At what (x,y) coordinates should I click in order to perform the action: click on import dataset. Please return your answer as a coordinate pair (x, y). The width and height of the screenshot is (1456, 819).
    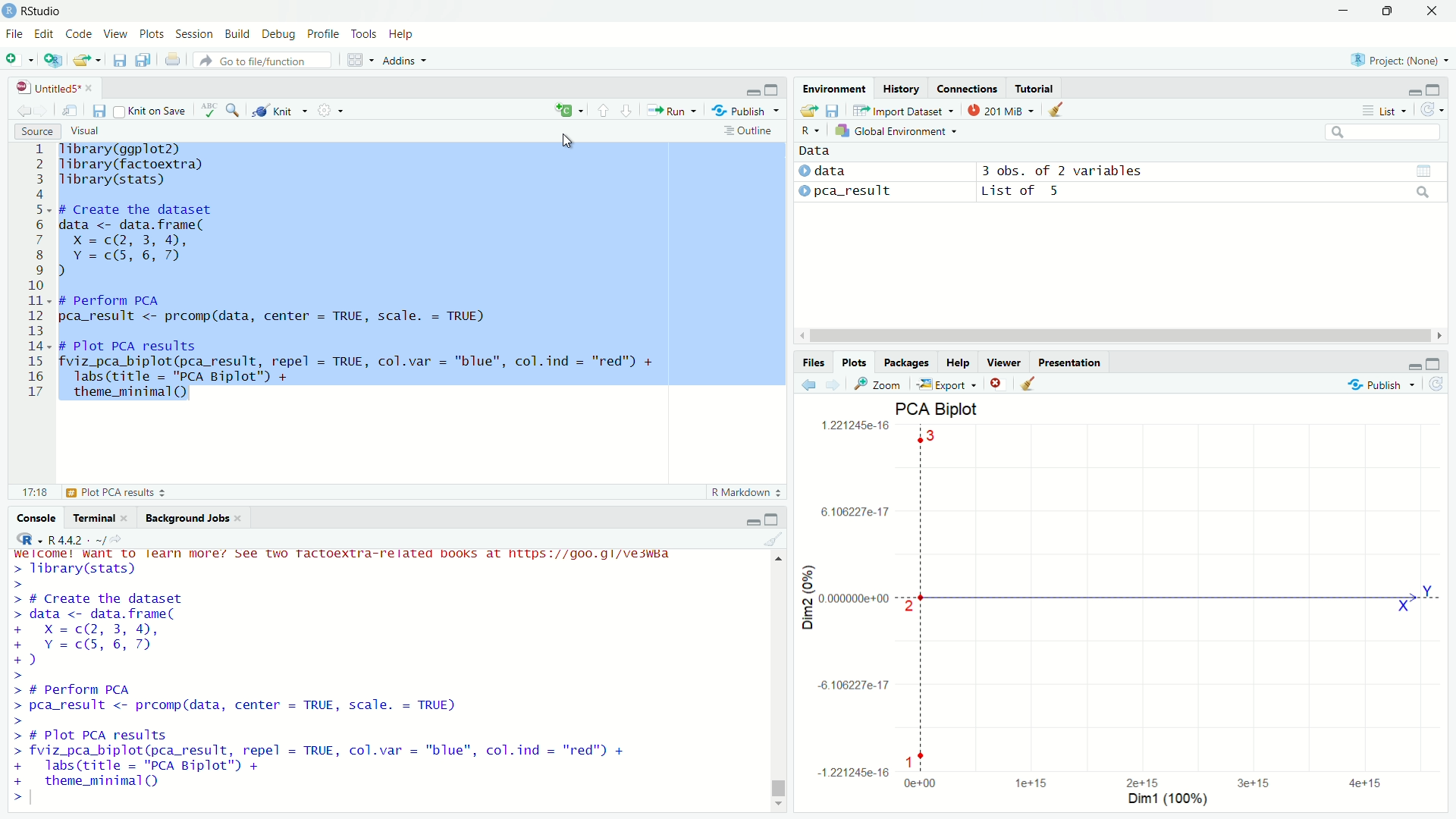
    Looking at the image, I should click on (902, 110).